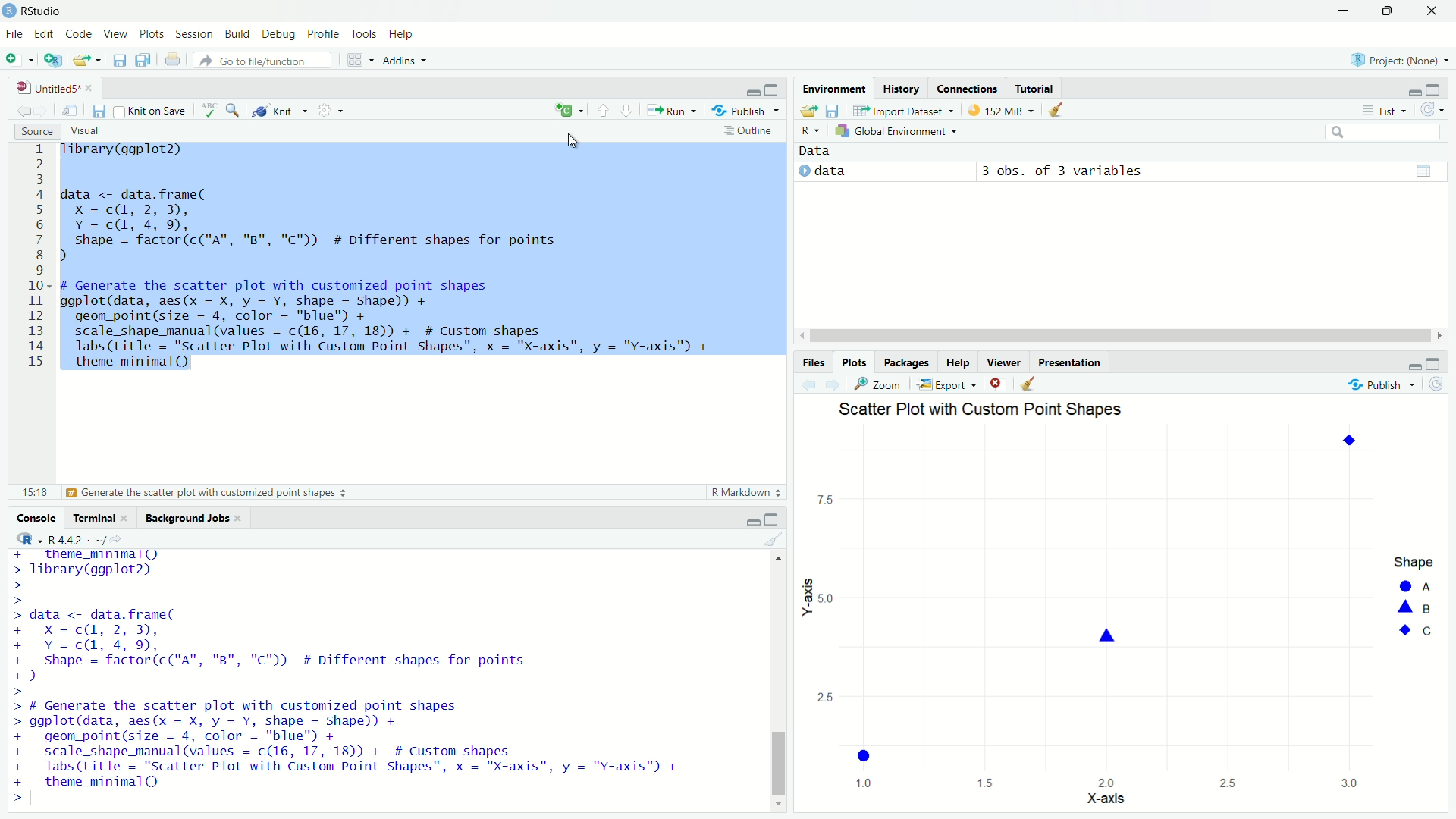 The height and width of the screenshot is (819, 1456). I want to click on maximize, so click(1433, 364).